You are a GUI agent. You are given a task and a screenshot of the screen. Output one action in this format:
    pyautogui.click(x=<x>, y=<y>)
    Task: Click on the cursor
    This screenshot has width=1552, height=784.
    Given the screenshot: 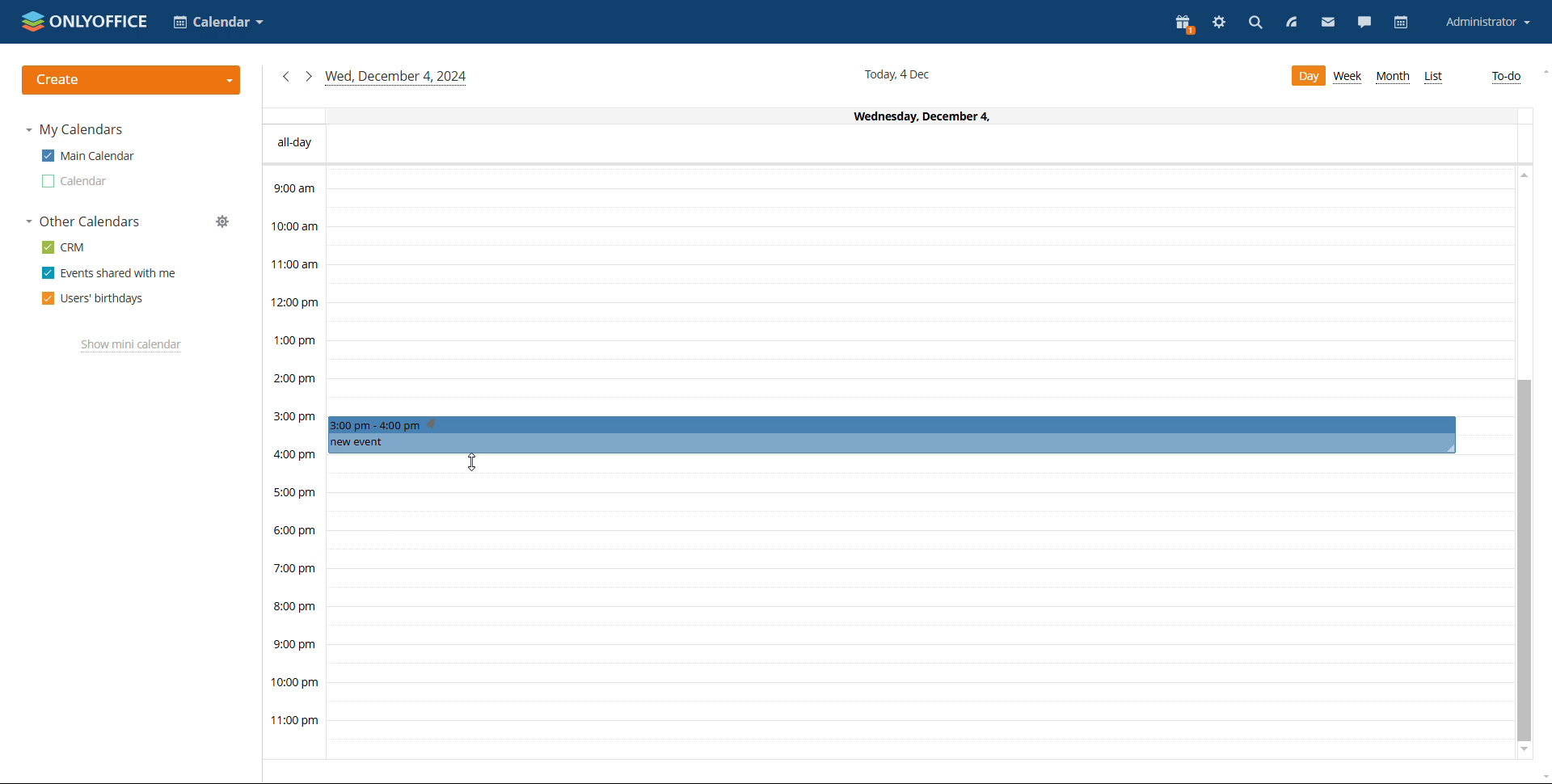 What is the action you would take?
    pyautogui.click(x=472, y=465)
    